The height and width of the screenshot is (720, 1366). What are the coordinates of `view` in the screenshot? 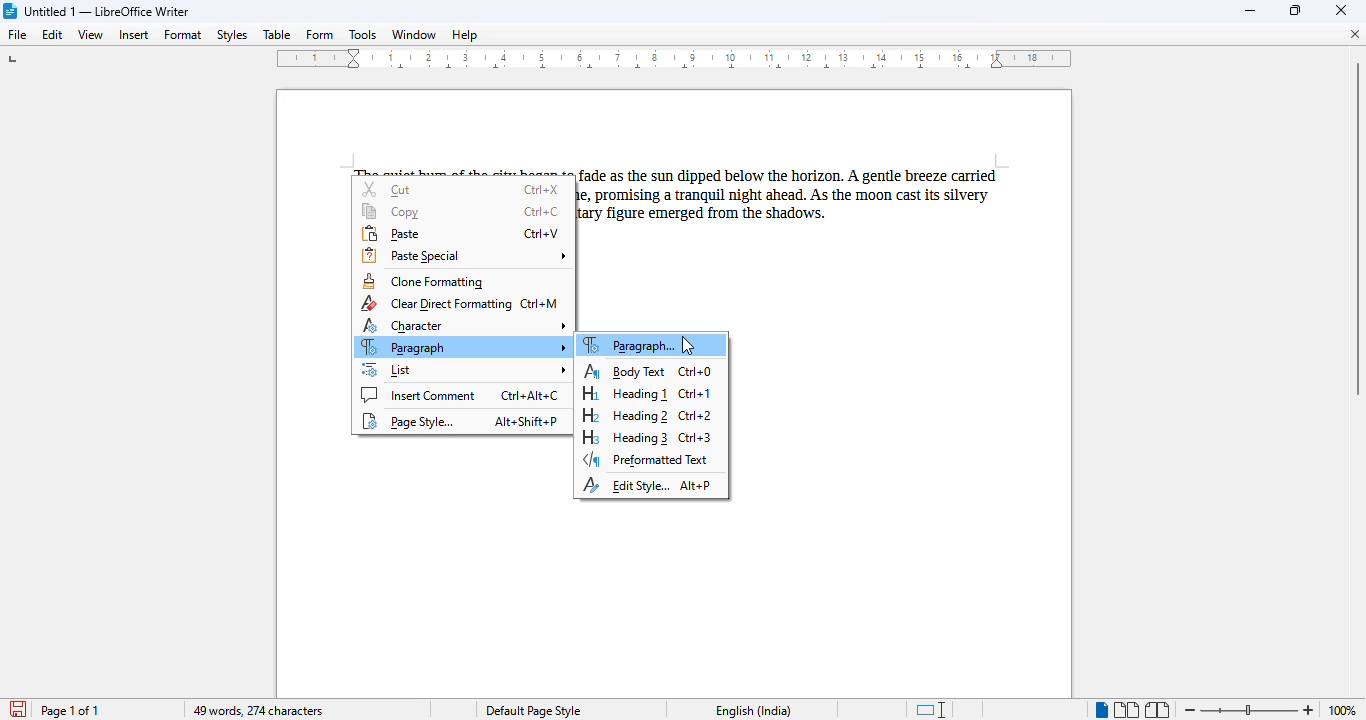 It's located at (90, 35).